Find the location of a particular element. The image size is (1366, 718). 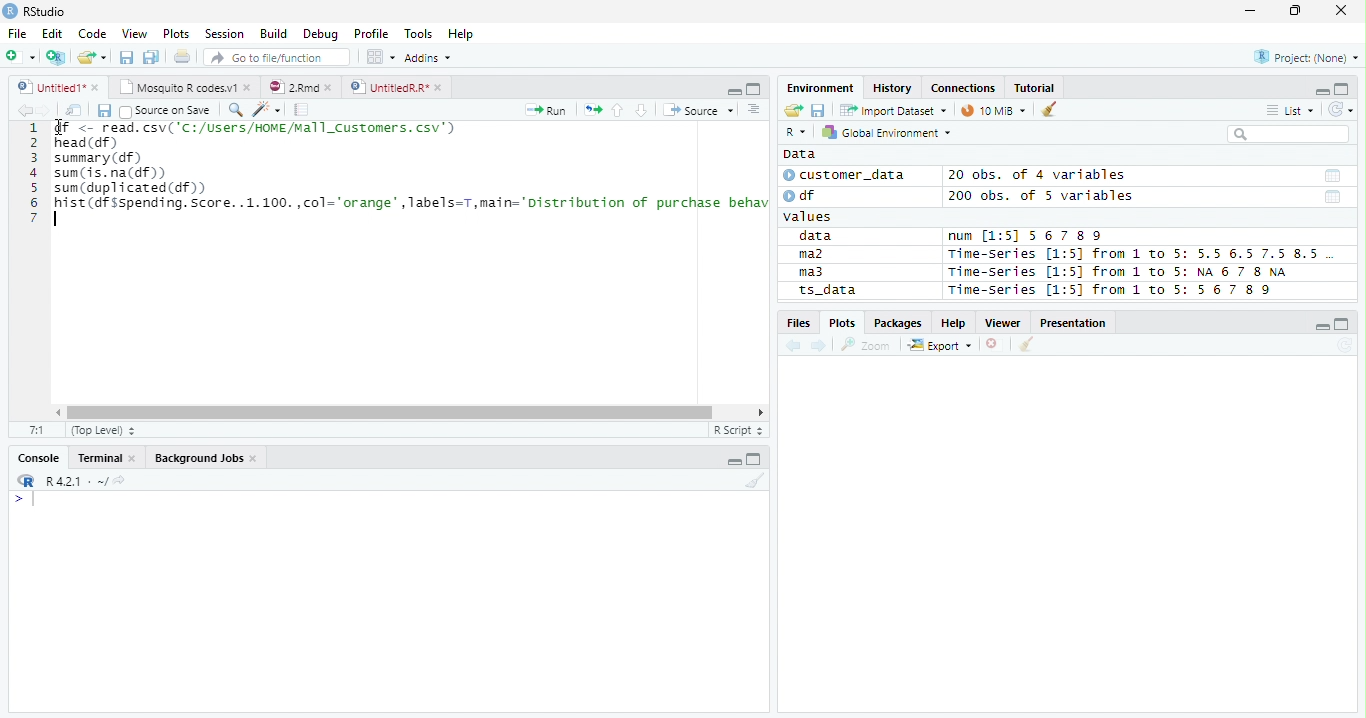

Open folder is located at coordinates (791, 111).